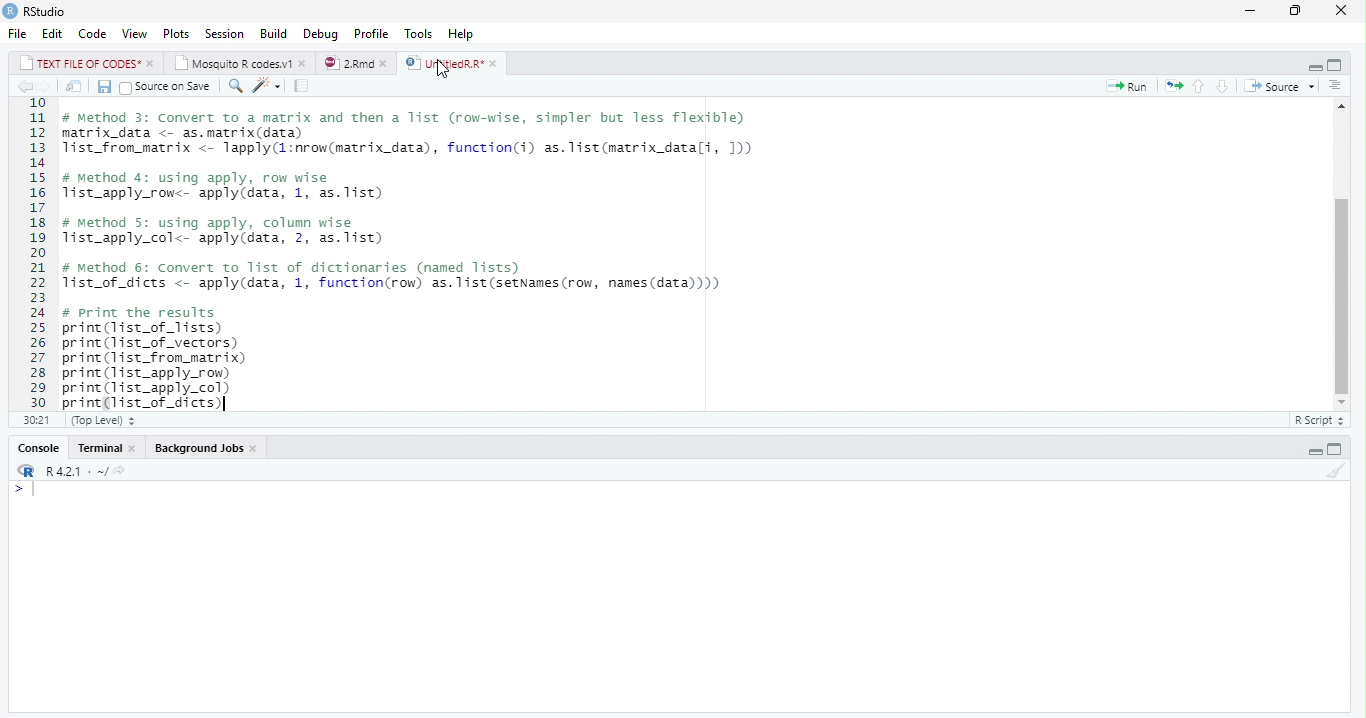  Describe the element at coordinates (78, 470) in the screenshot. I see `R 4.2.1 - ~/` at that location.